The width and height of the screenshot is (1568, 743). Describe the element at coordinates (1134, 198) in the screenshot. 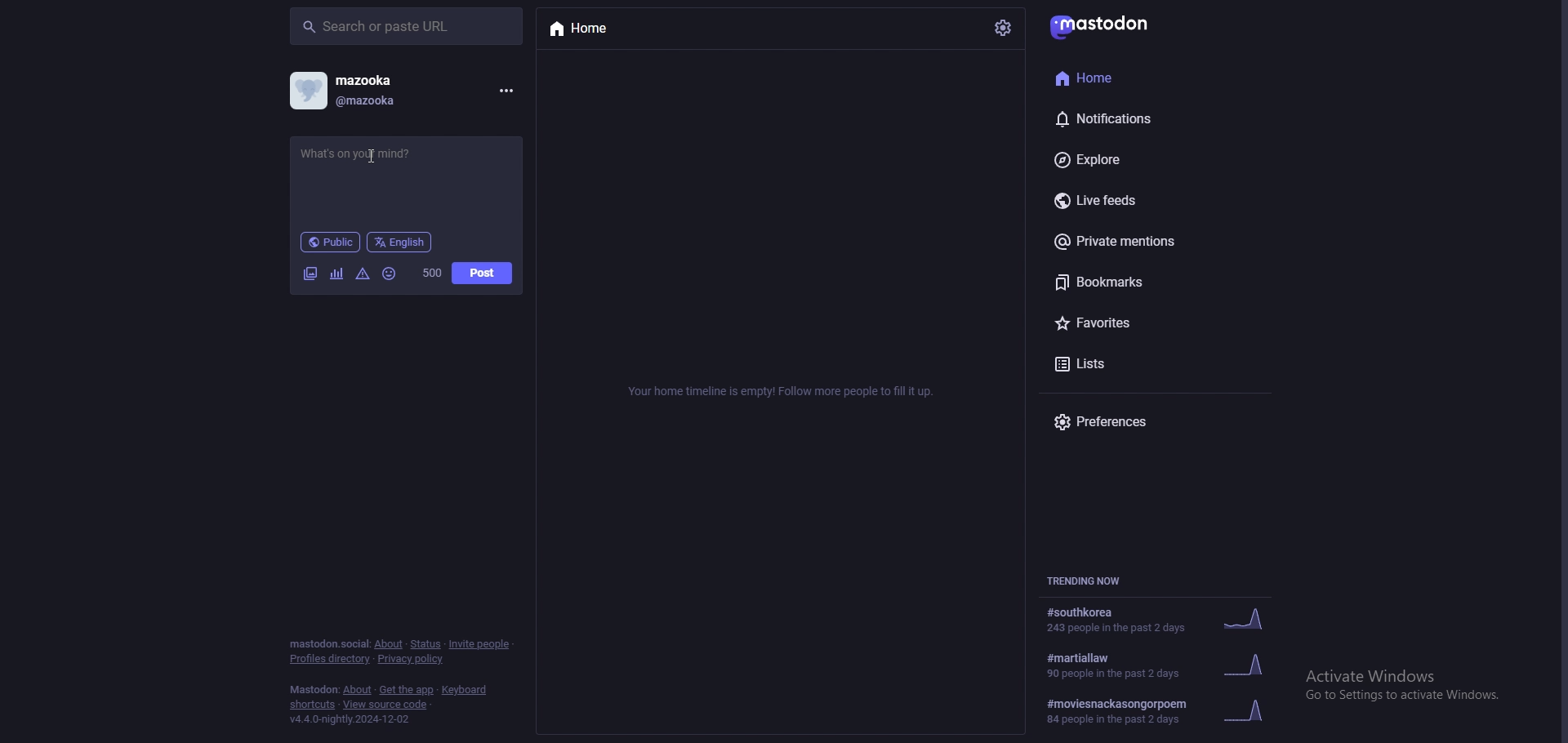

I see `live feeds` at that location.